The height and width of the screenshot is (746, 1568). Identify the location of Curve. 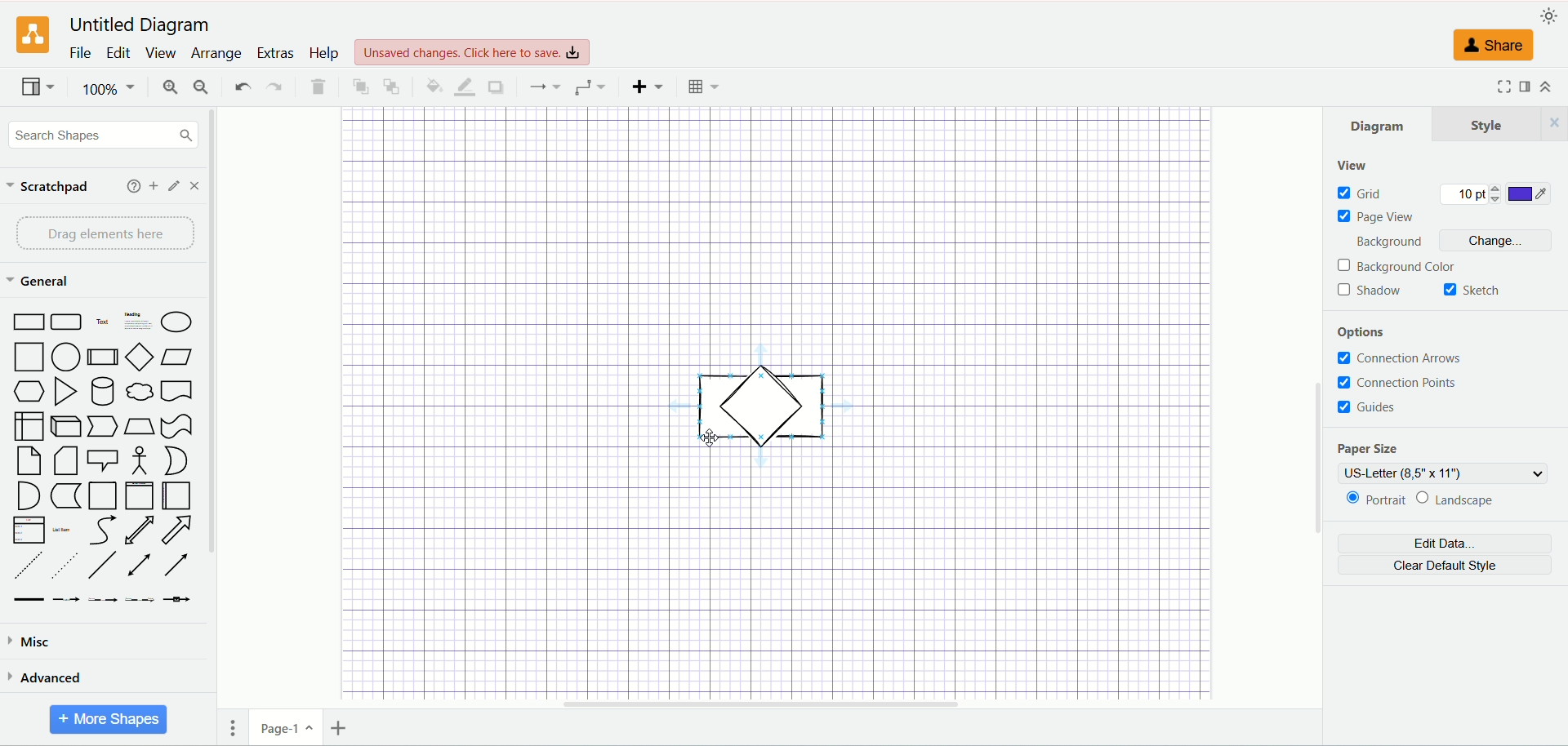
(105, 531).